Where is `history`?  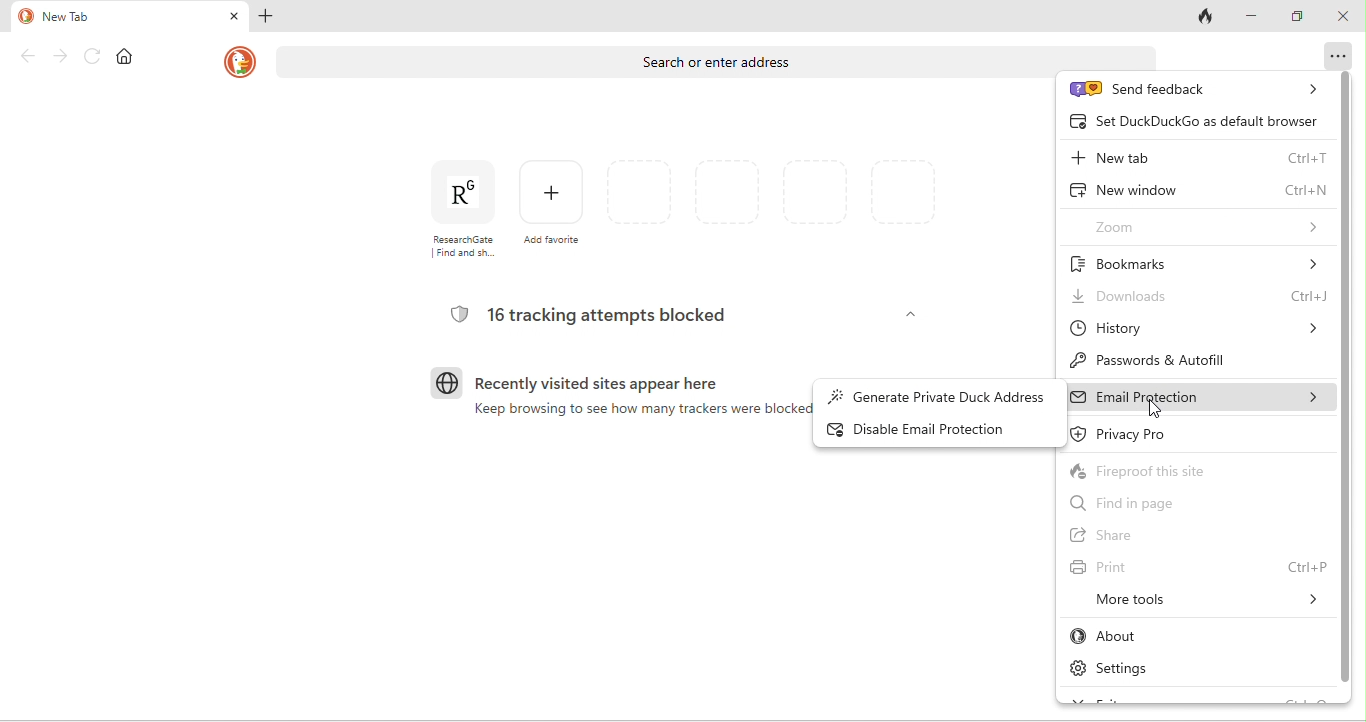 history is located at coordinates (1197, 332).